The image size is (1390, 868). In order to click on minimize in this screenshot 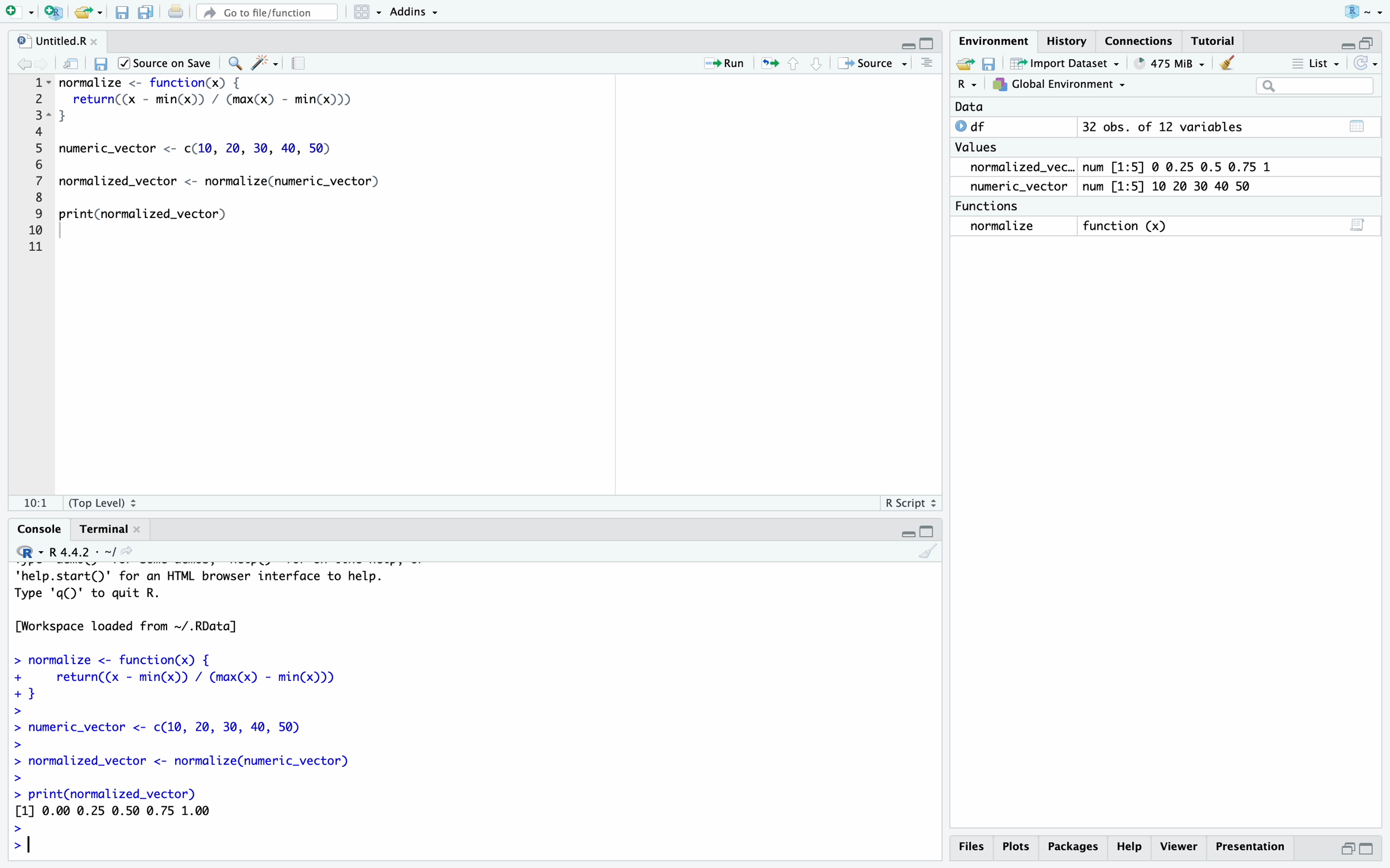, I will do `click(1344, 43)`.